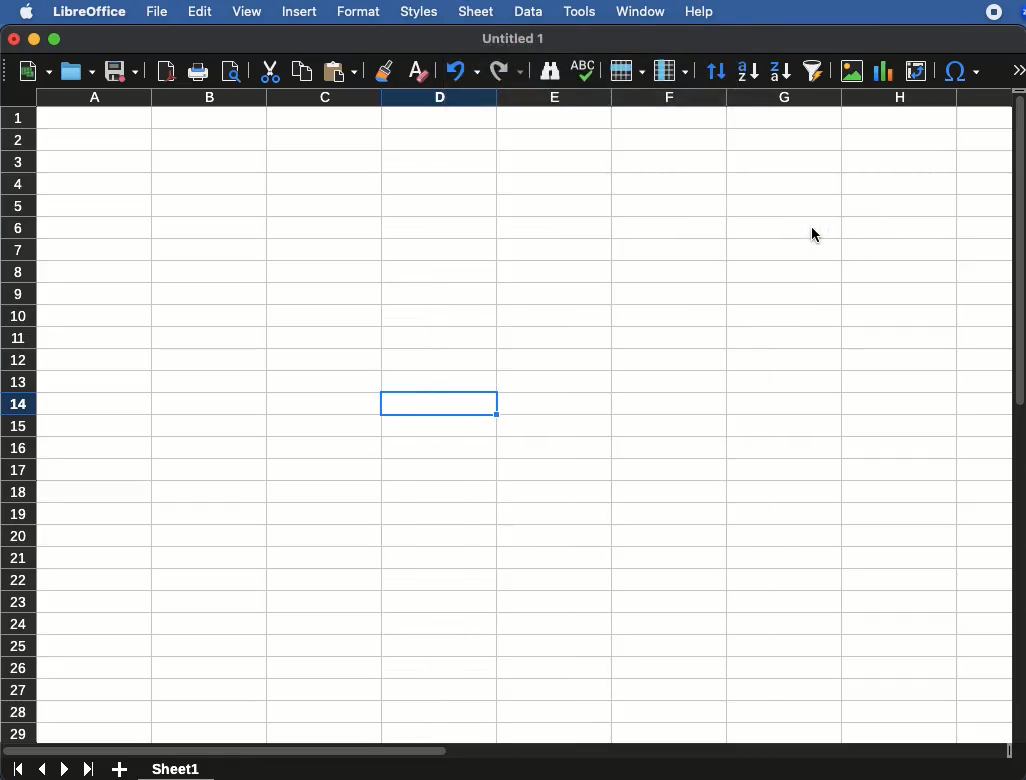 This screenshot has width=1026, height=780. What do you see at coordinates (524, 98) in the screenshot?
I see `column` at bounding box center [524, 98].